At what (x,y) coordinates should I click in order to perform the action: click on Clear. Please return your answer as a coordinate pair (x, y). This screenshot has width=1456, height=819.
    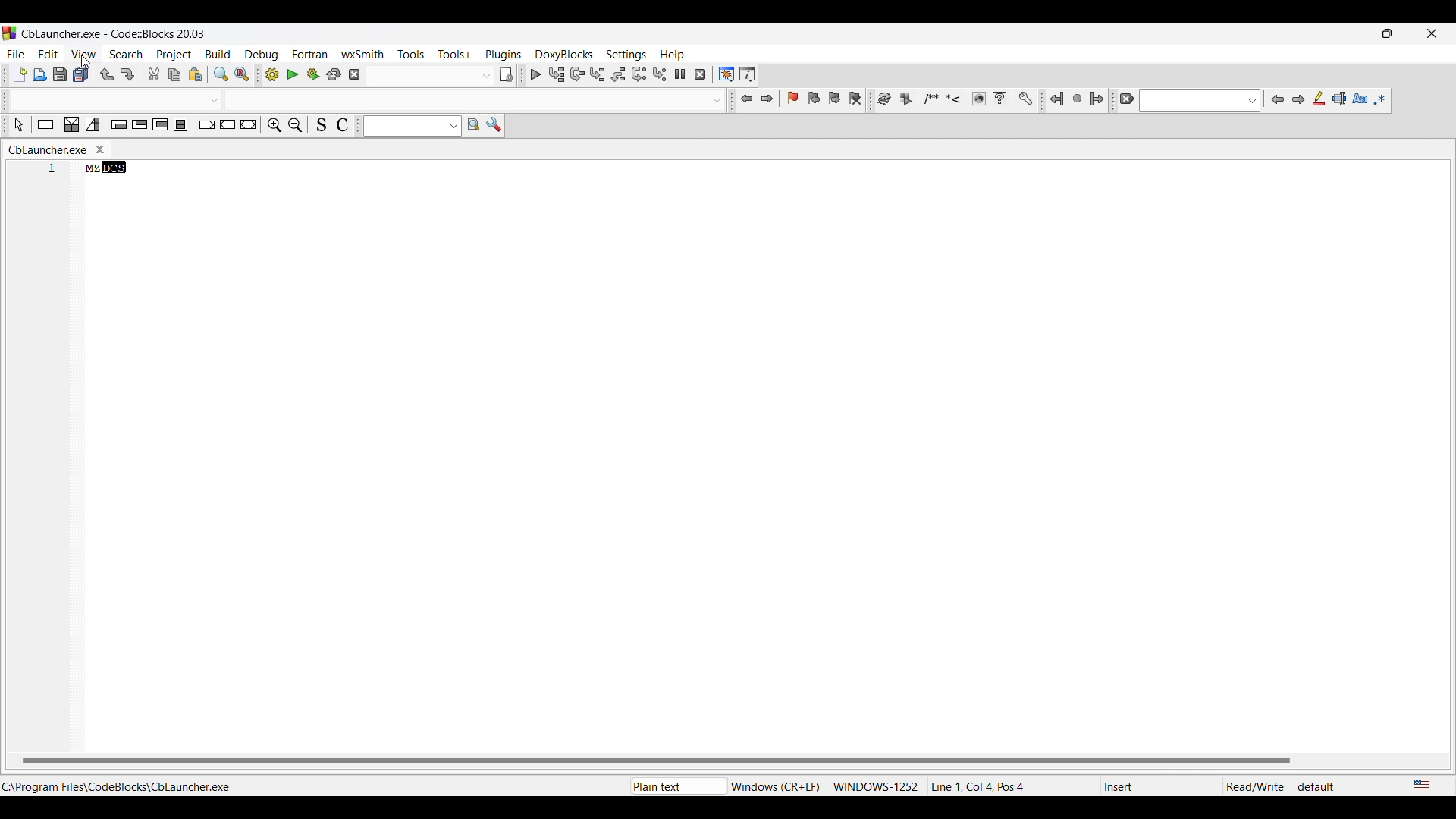
    Looking at the image, I should click on (1127, 99).